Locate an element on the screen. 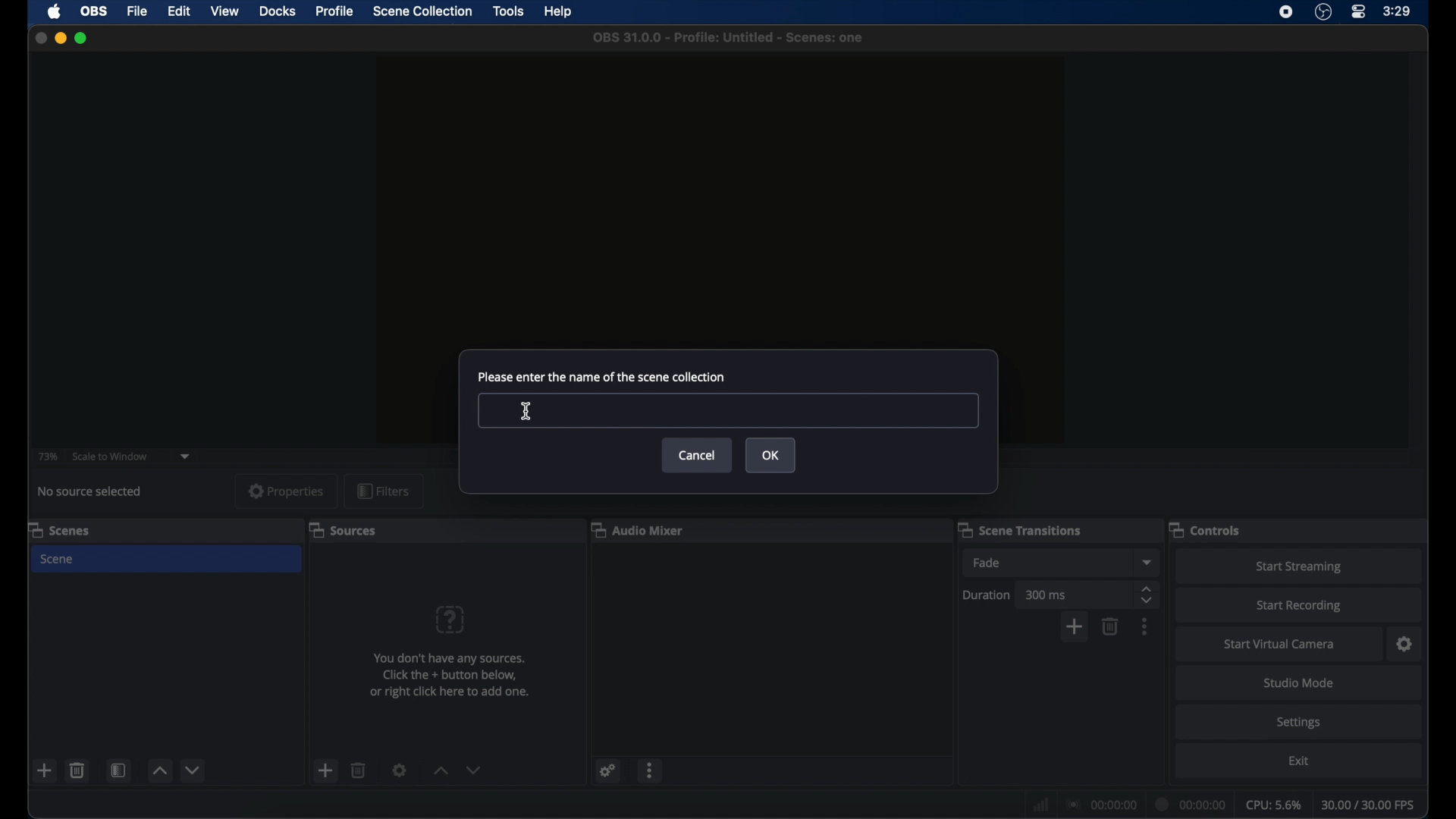 The image size is (1456, 819). more options is located at coordinates (651, 770).